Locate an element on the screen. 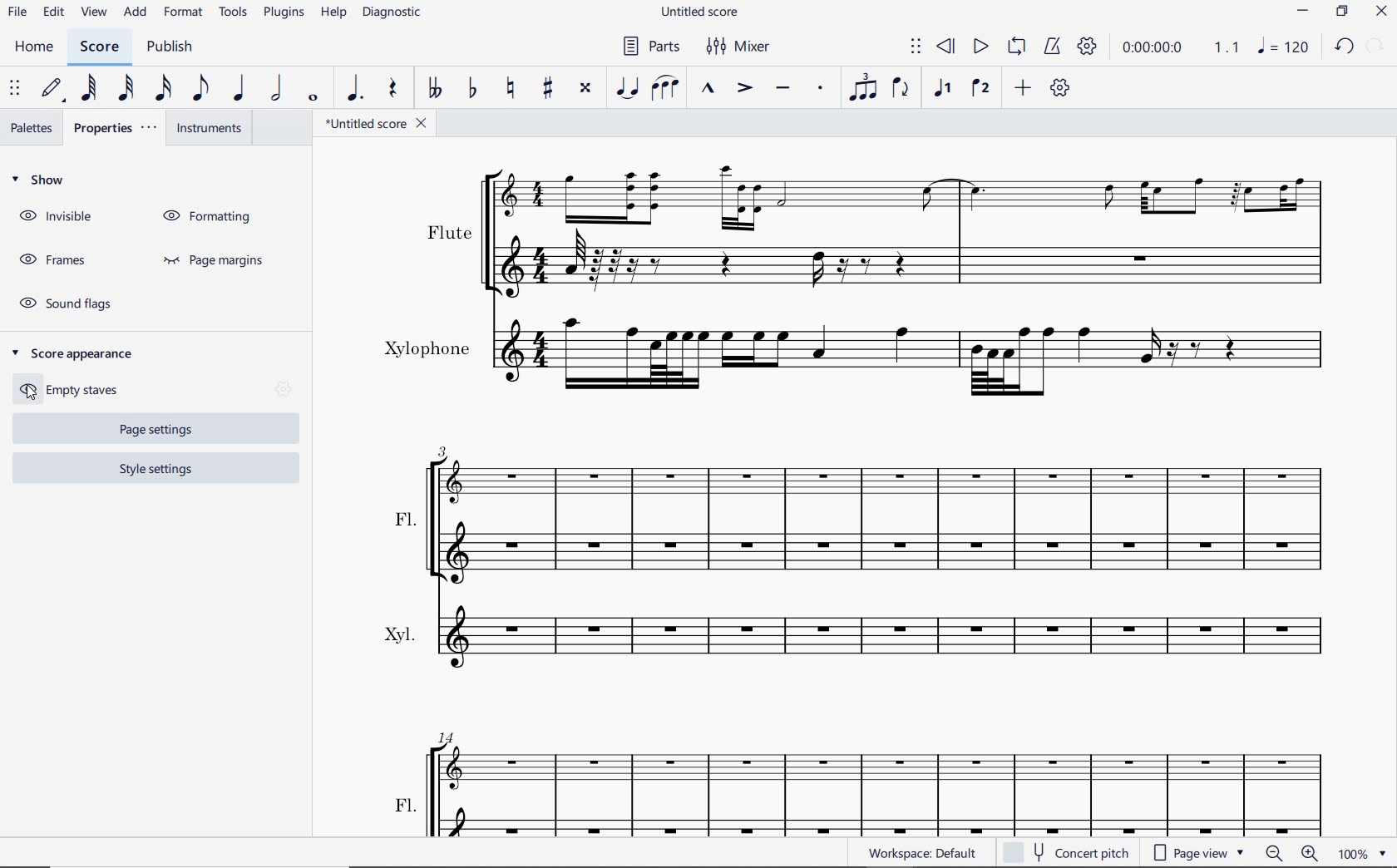  file is located at coordinates (18, 14).